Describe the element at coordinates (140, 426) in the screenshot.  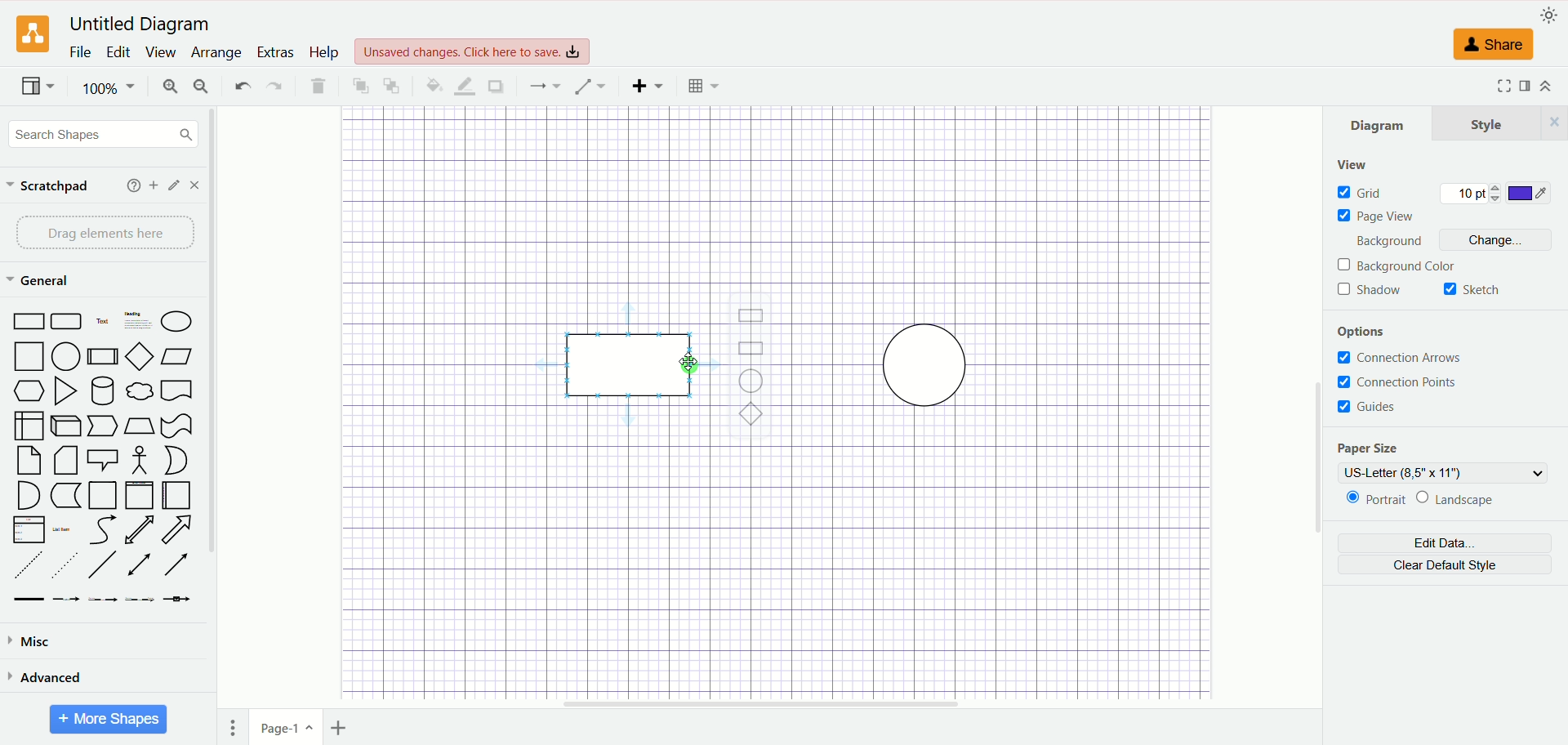
I see `Trapezoid` at that location.